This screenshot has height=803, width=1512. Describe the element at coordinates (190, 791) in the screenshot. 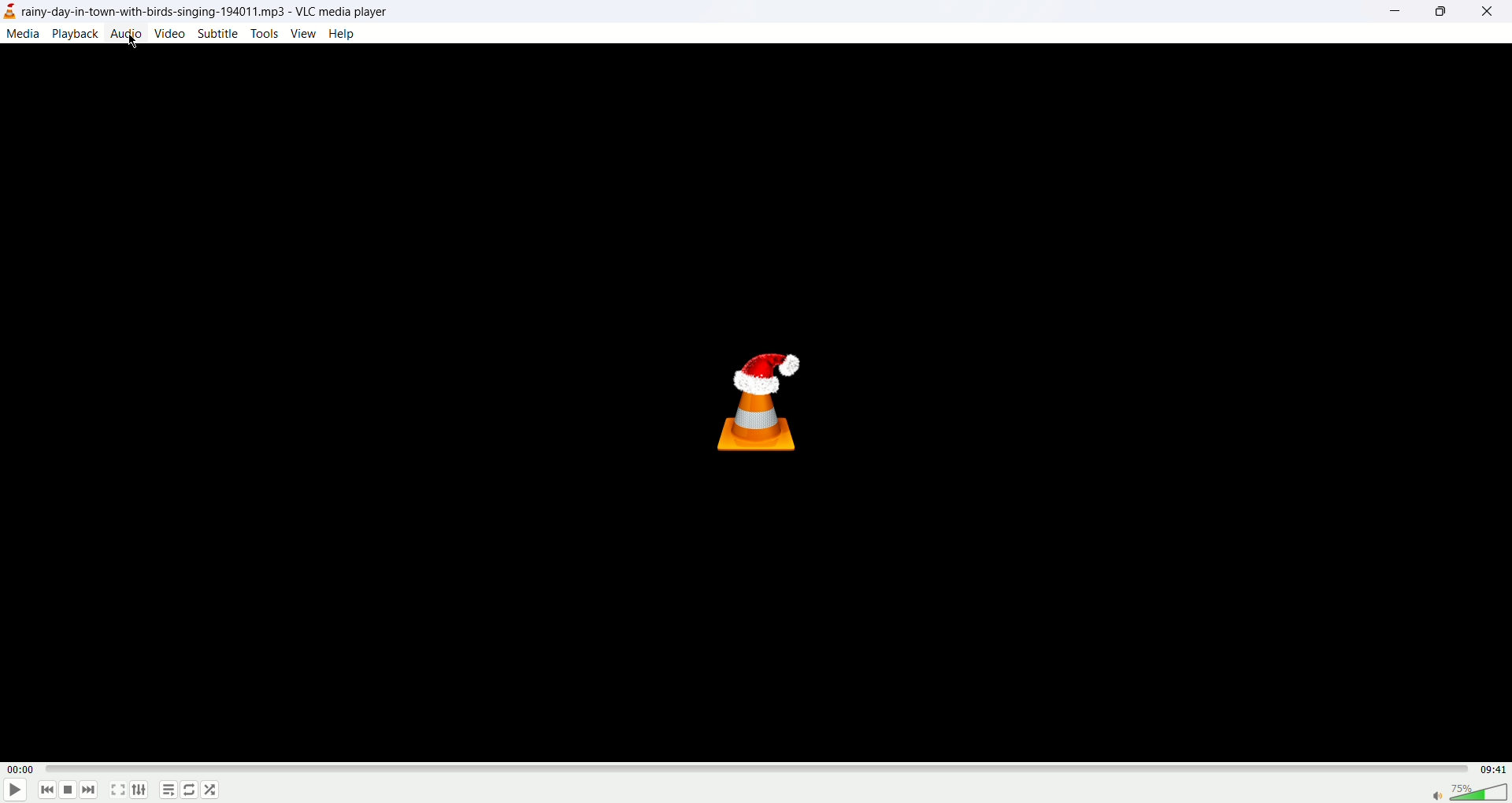

I see `loop` at that location.